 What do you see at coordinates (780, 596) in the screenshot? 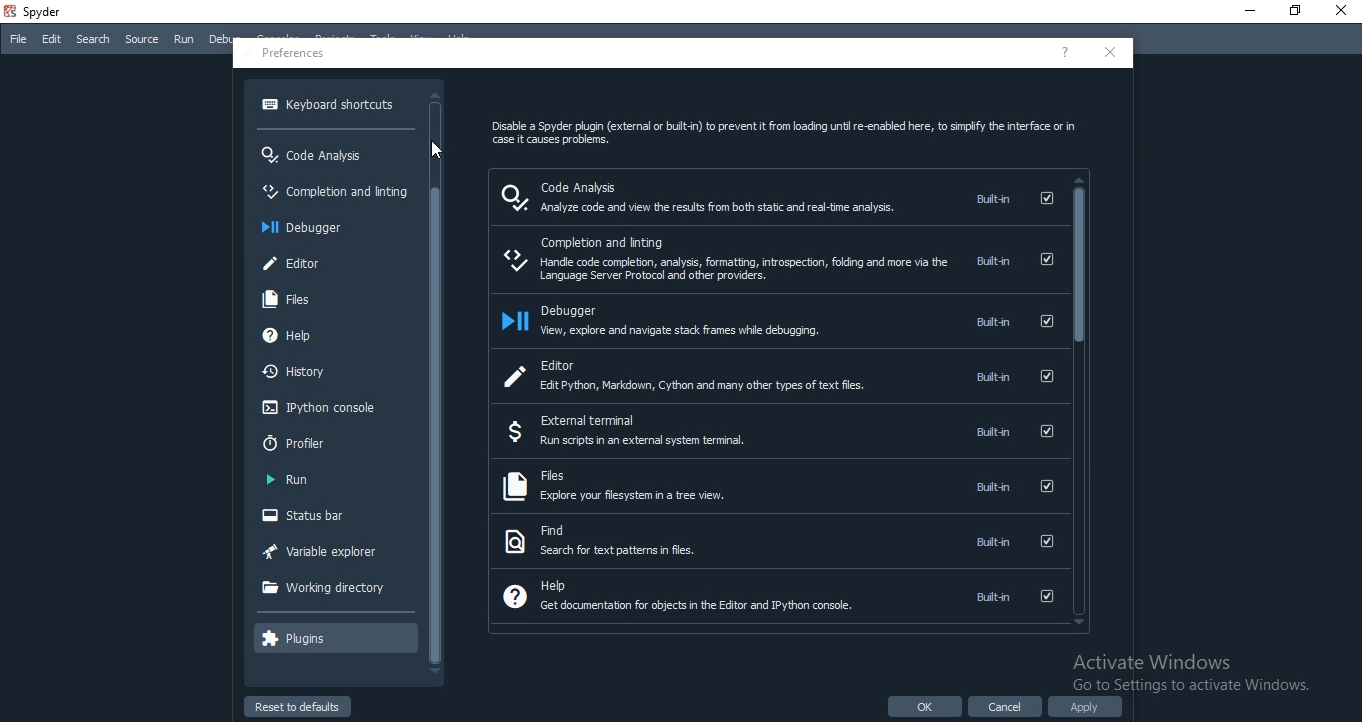
I see `help` at bounding box center [780, 596].